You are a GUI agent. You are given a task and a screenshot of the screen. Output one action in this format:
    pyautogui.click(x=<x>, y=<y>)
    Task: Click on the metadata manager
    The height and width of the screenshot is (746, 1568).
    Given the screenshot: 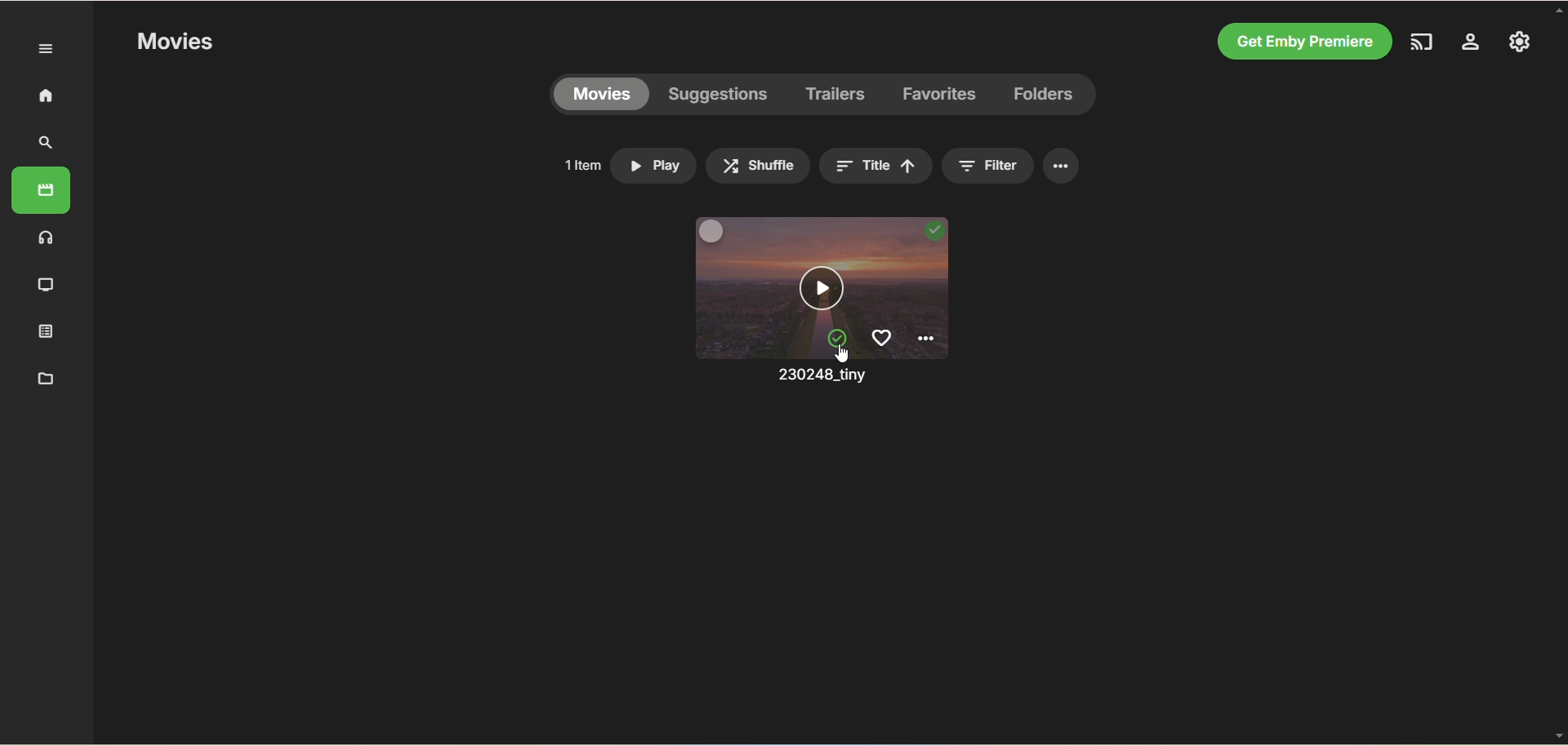 What is the action you would take?
    pyautogui.click(x=42, y=379)
    